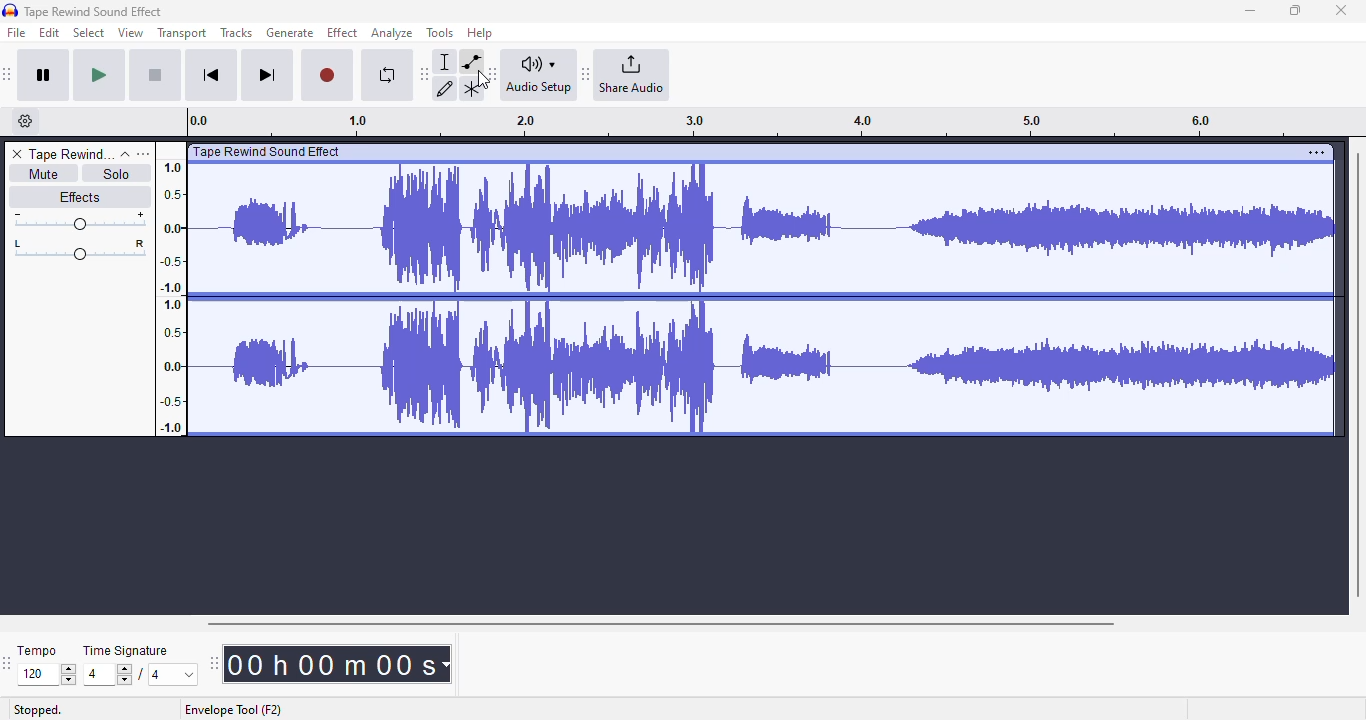 The image size is (1366, 720). What do you see at coordinates (26, 121) in the screenshot?
I see `timeline options` at bounding box center [26, 121].